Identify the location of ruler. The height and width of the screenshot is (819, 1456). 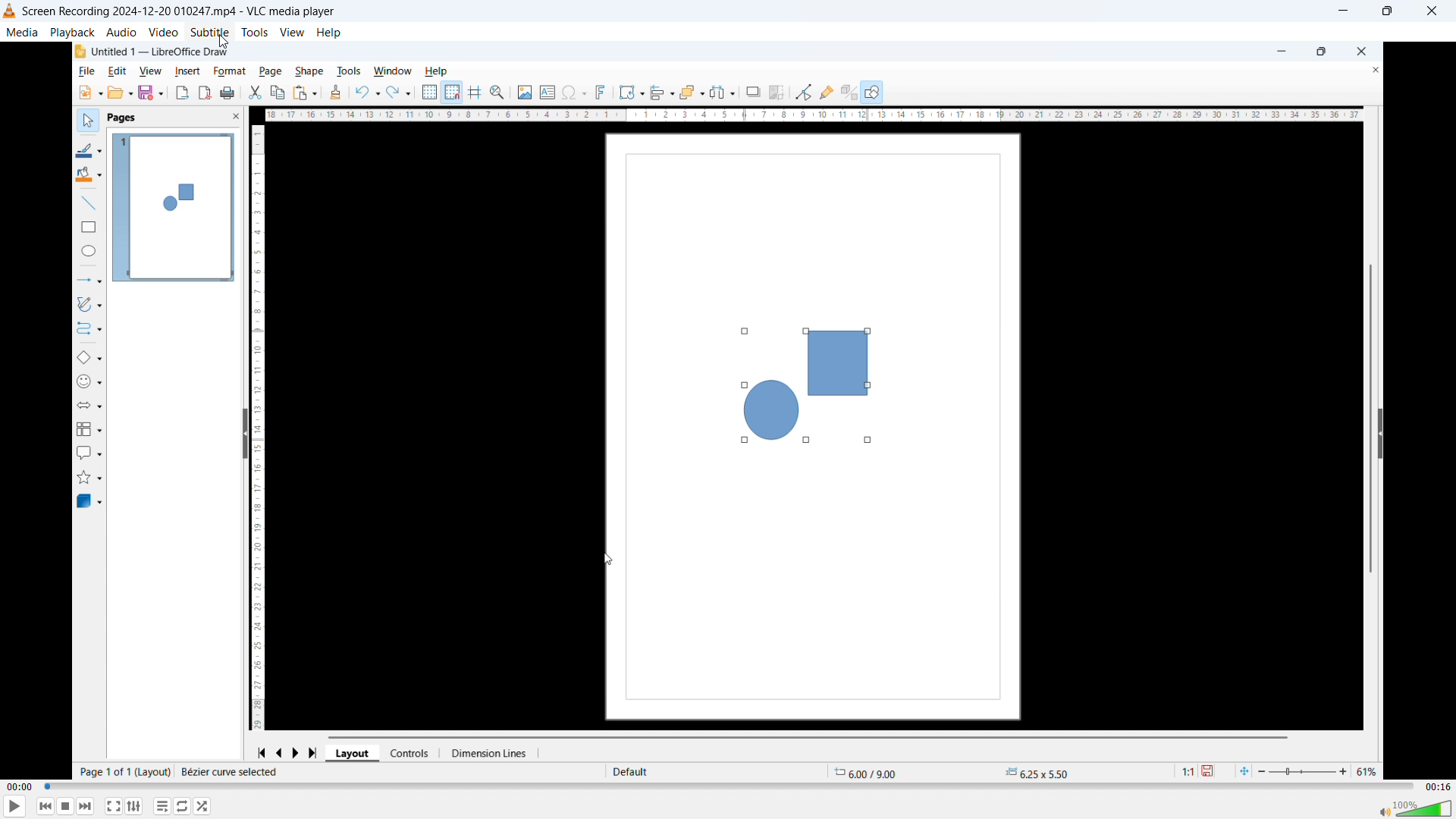
(814, 115).